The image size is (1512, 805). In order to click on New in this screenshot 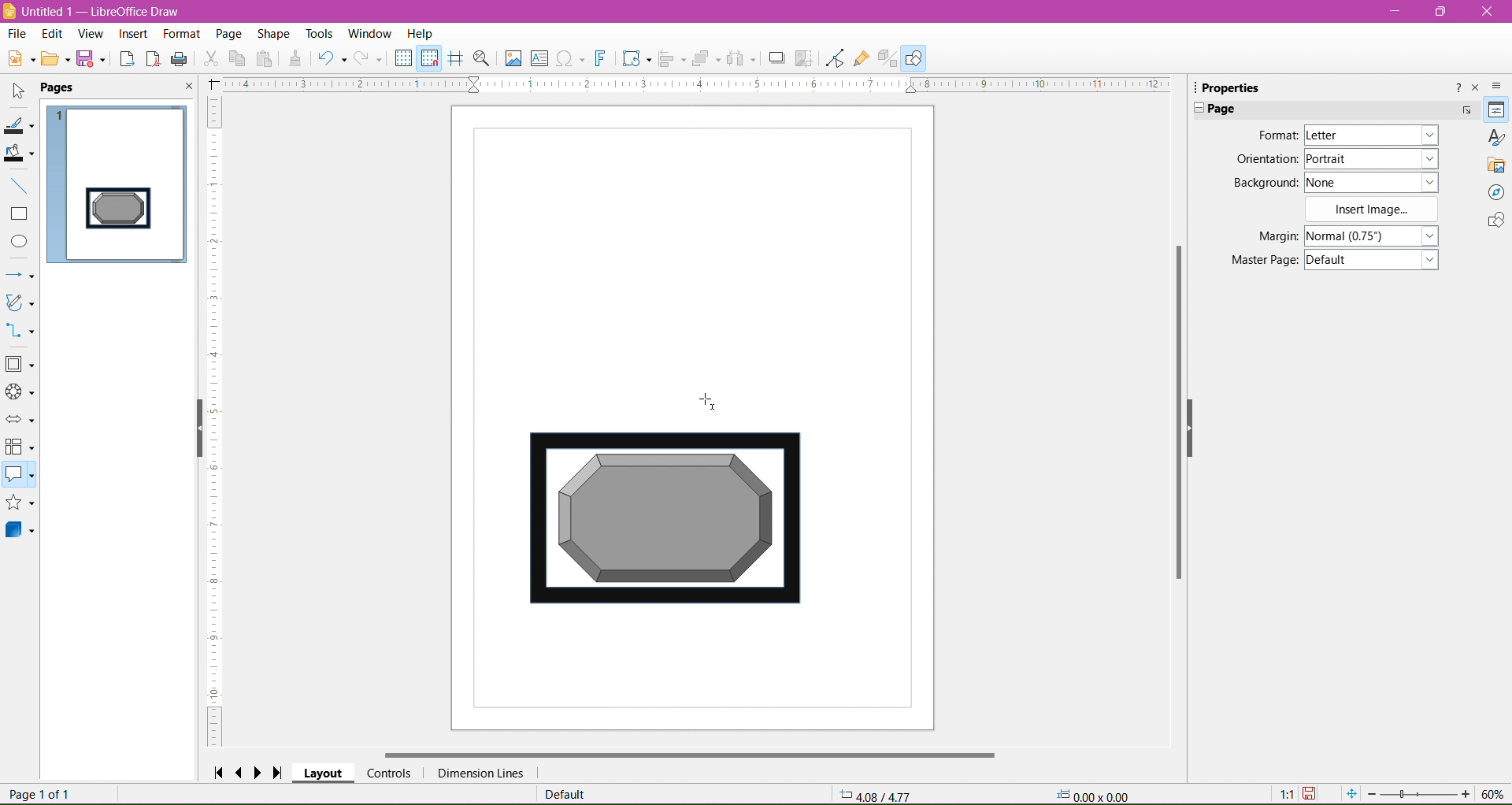, I will do `click(18, 57)`.